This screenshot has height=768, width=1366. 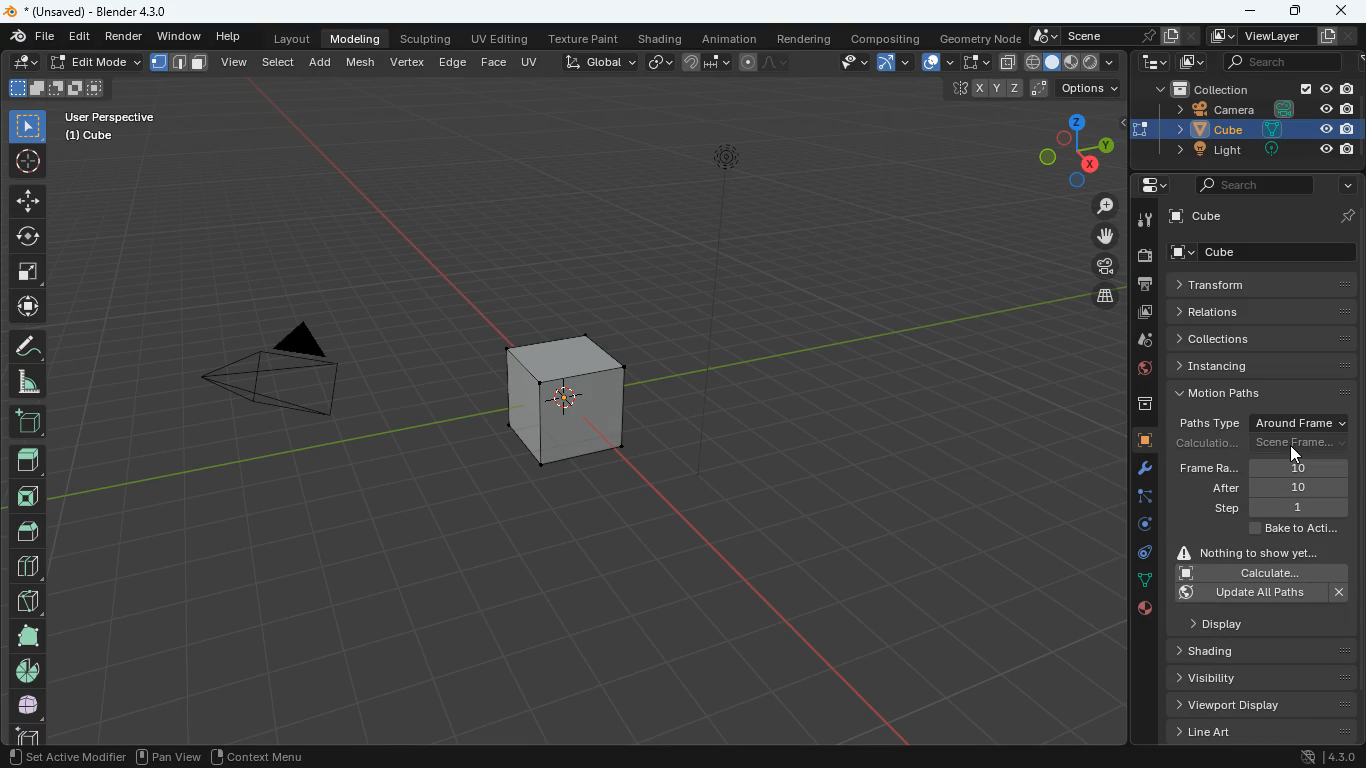 I want to click on light, so click(x=1260, y=150).